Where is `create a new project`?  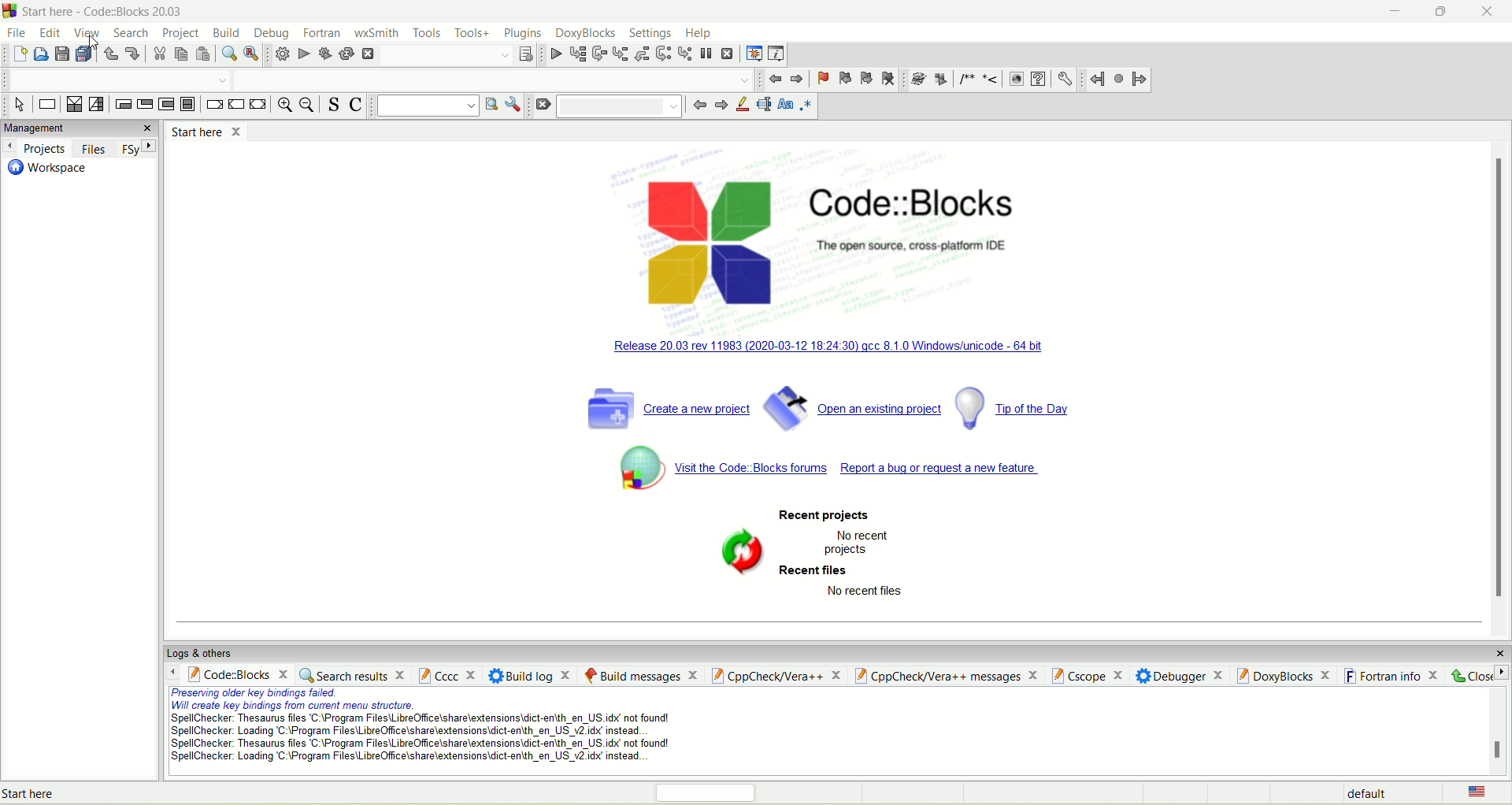
create a new project is located at coordinates (664, 407).